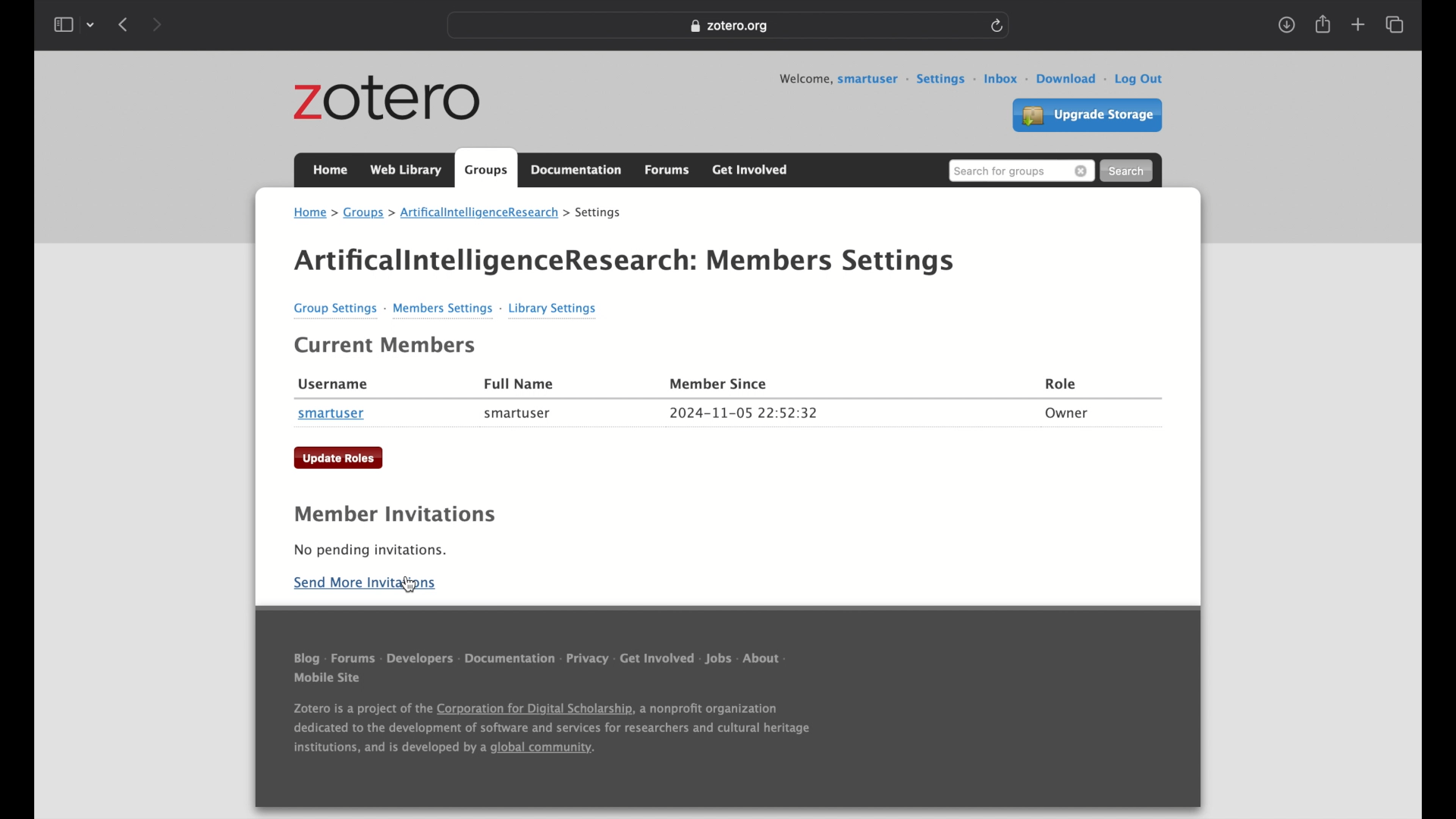 Image resolution: width=1456 pixels, height=819 pixels. I want to click on owner, so click(1067, 415).